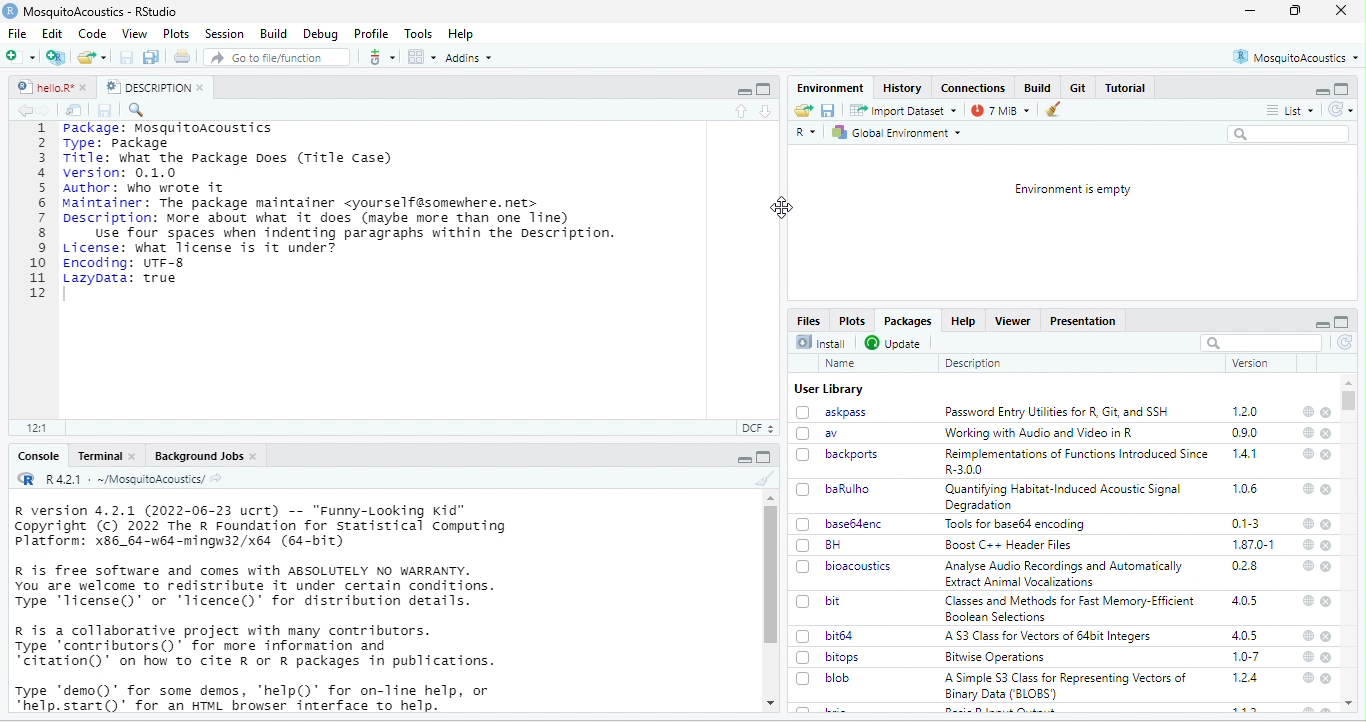  Describe the element at coordinates (828, 110) in the screenshot. I see `Save` at that location.